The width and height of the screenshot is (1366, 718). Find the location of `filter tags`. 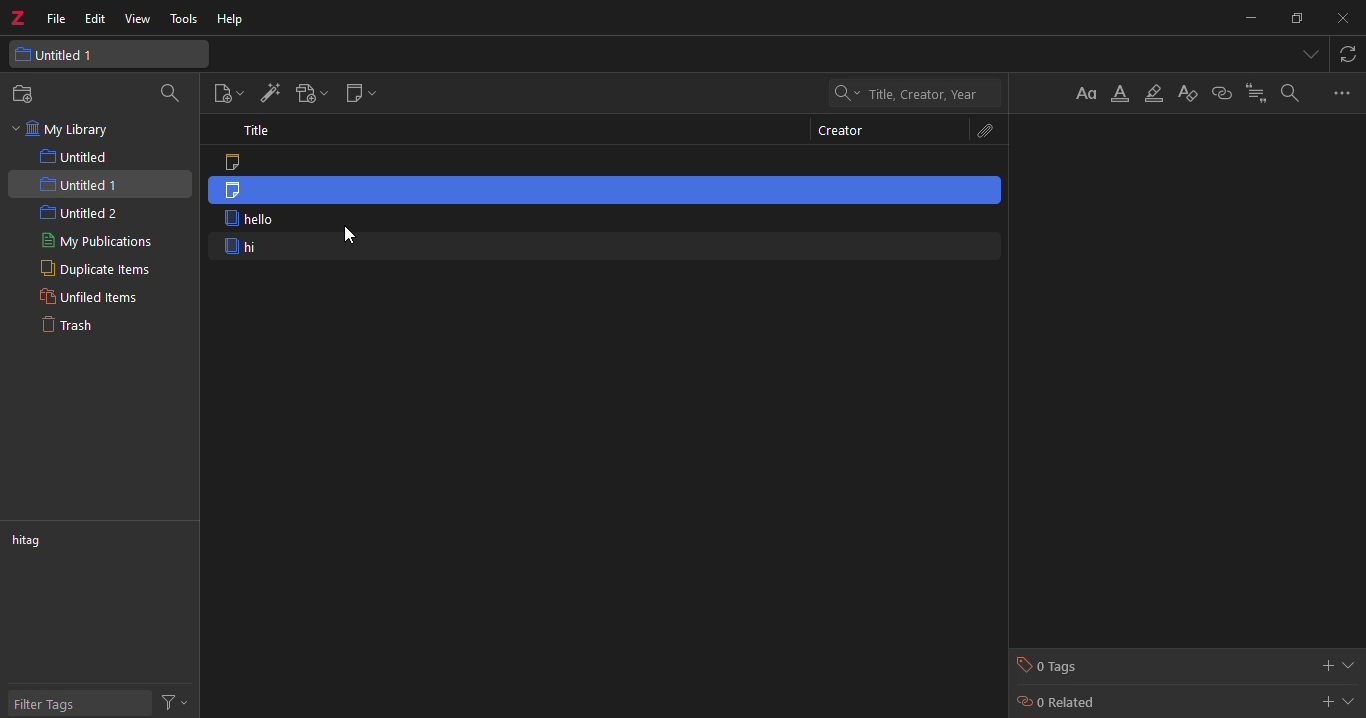

filter tags is located at coordinates (68, 702).